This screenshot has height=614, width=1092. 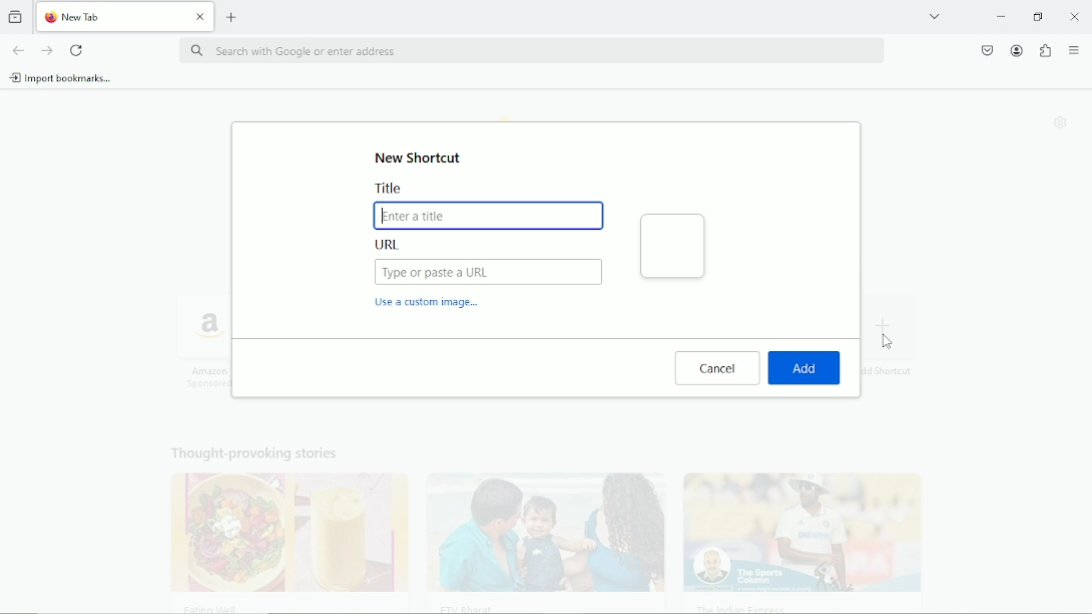 I want to click on reload current page, so click(x=77, y=50).